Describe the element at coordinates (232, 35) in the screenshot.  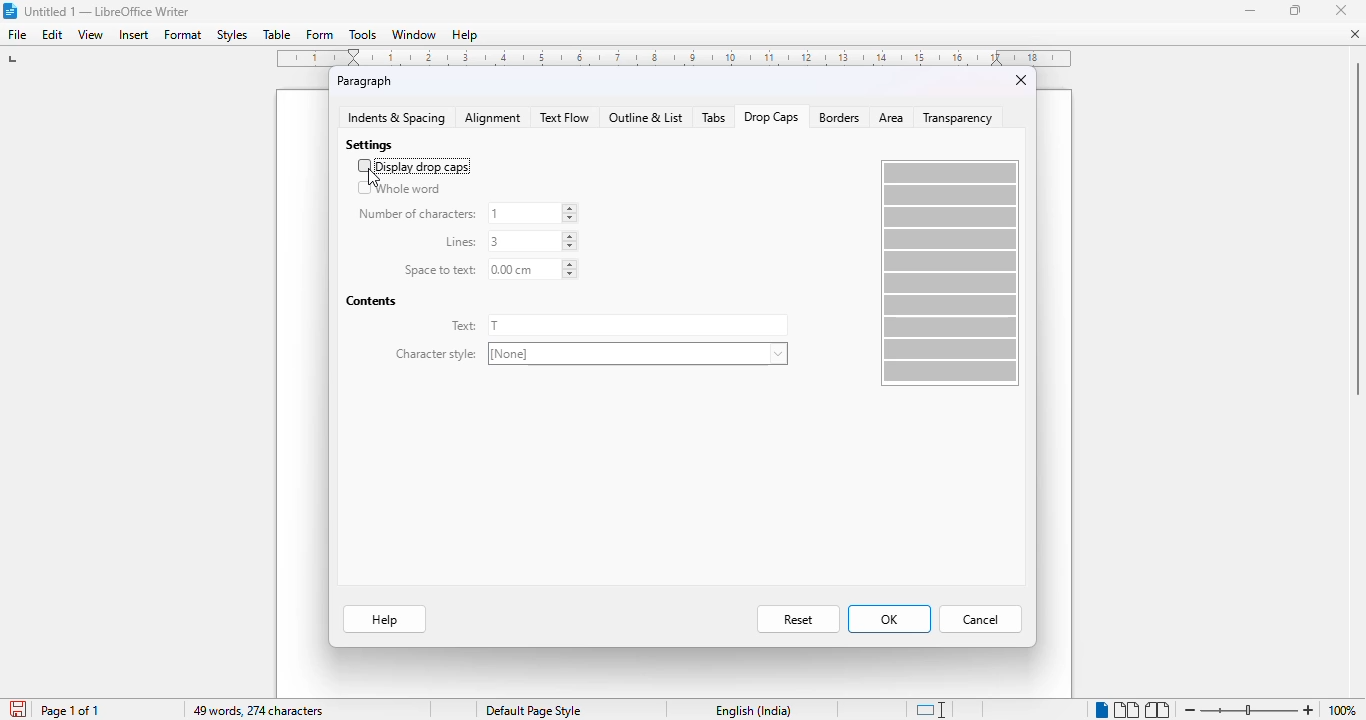
I see `styles` at that location.